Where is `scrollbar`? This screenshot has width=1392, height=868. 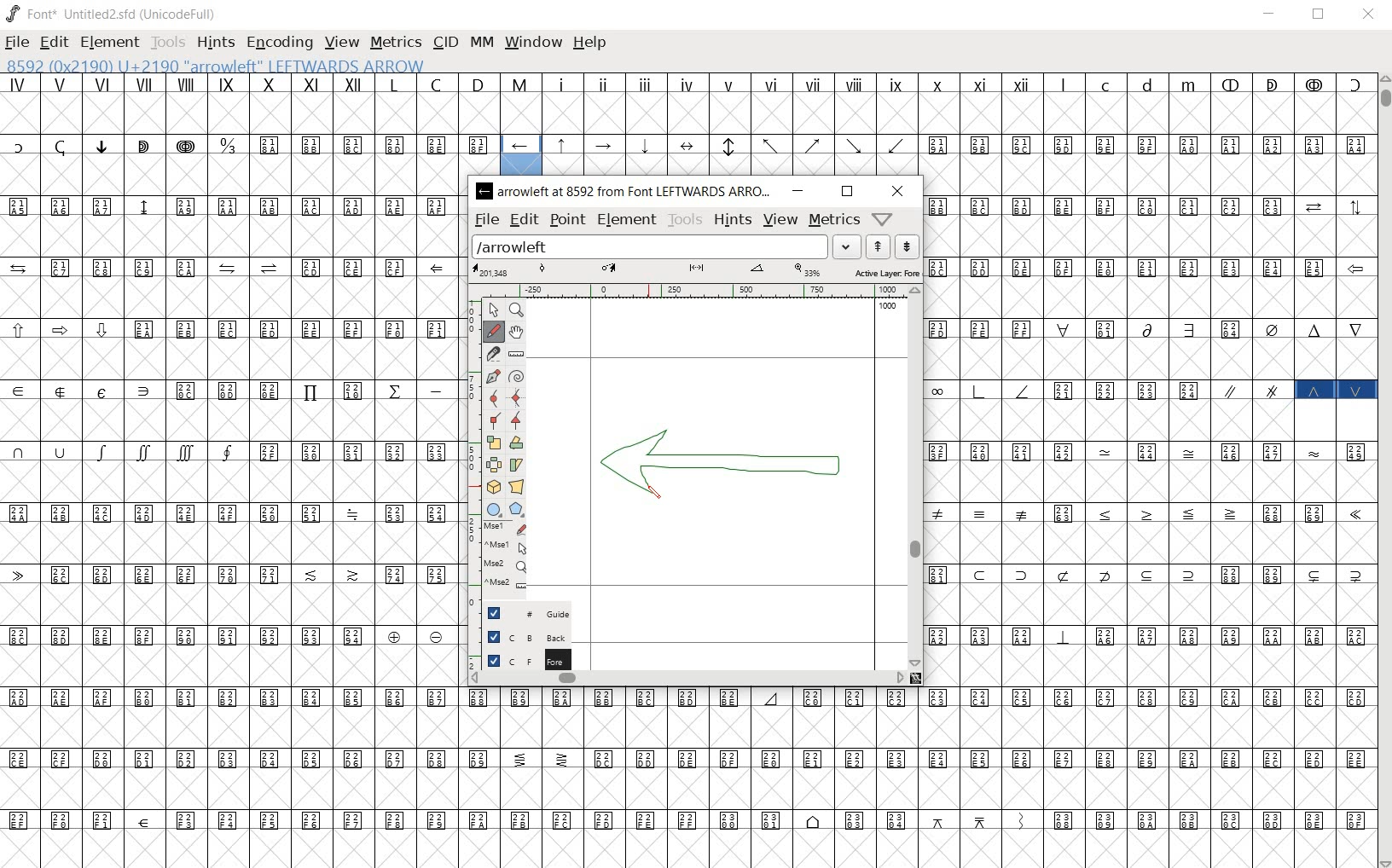 scrollbar is located at coordinates (915, 477).